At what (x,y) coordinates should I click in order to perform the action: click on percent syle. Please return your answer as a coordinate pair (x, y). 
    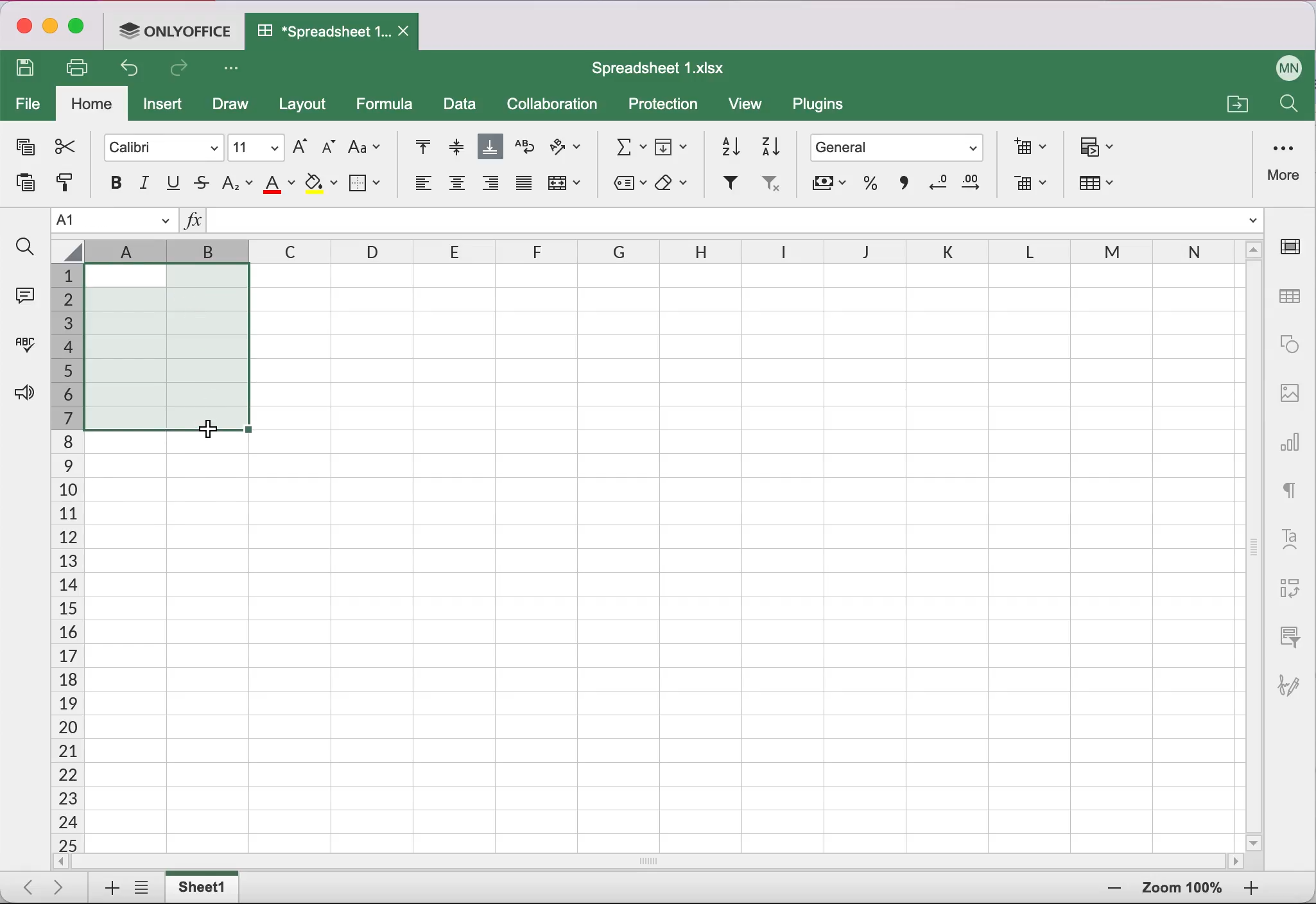
    Looking at the image, I should click on (868, 186).